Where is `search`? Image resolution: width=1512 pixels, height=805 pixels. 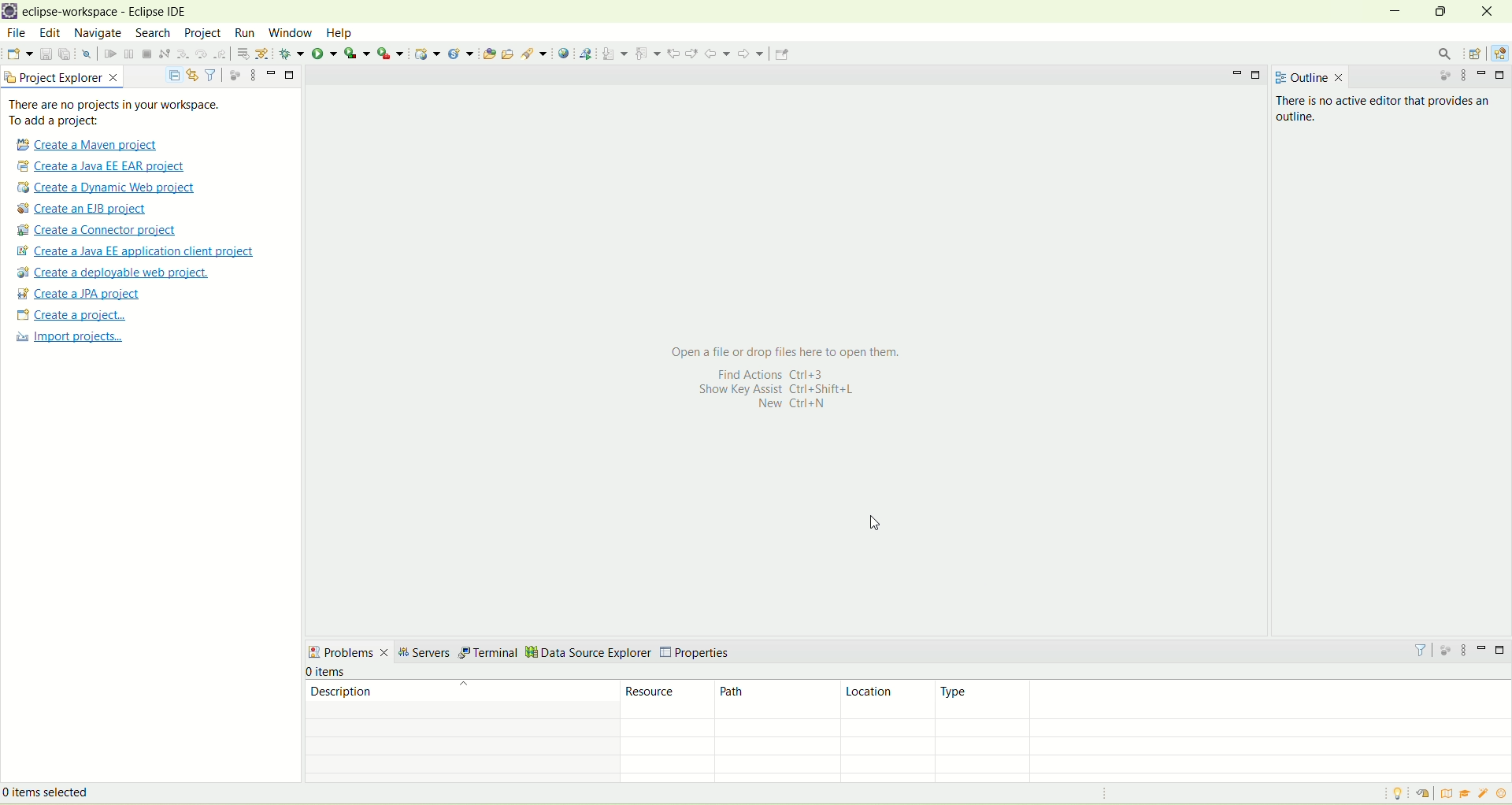 search is located at coordinates (150, 34).